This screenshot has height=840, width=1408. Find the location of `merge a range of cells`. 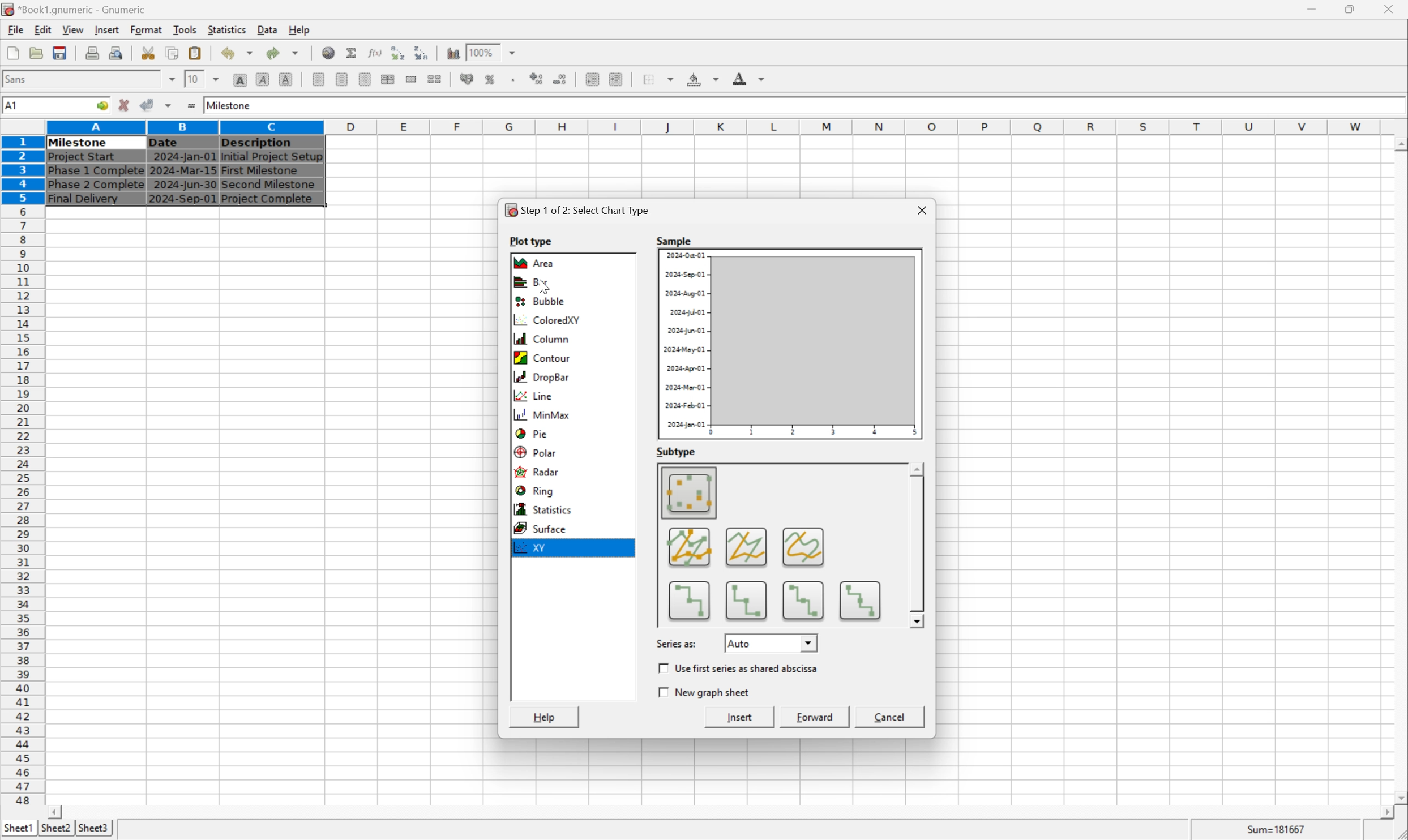

merge a range of cells is located at coordinates (412, 79).